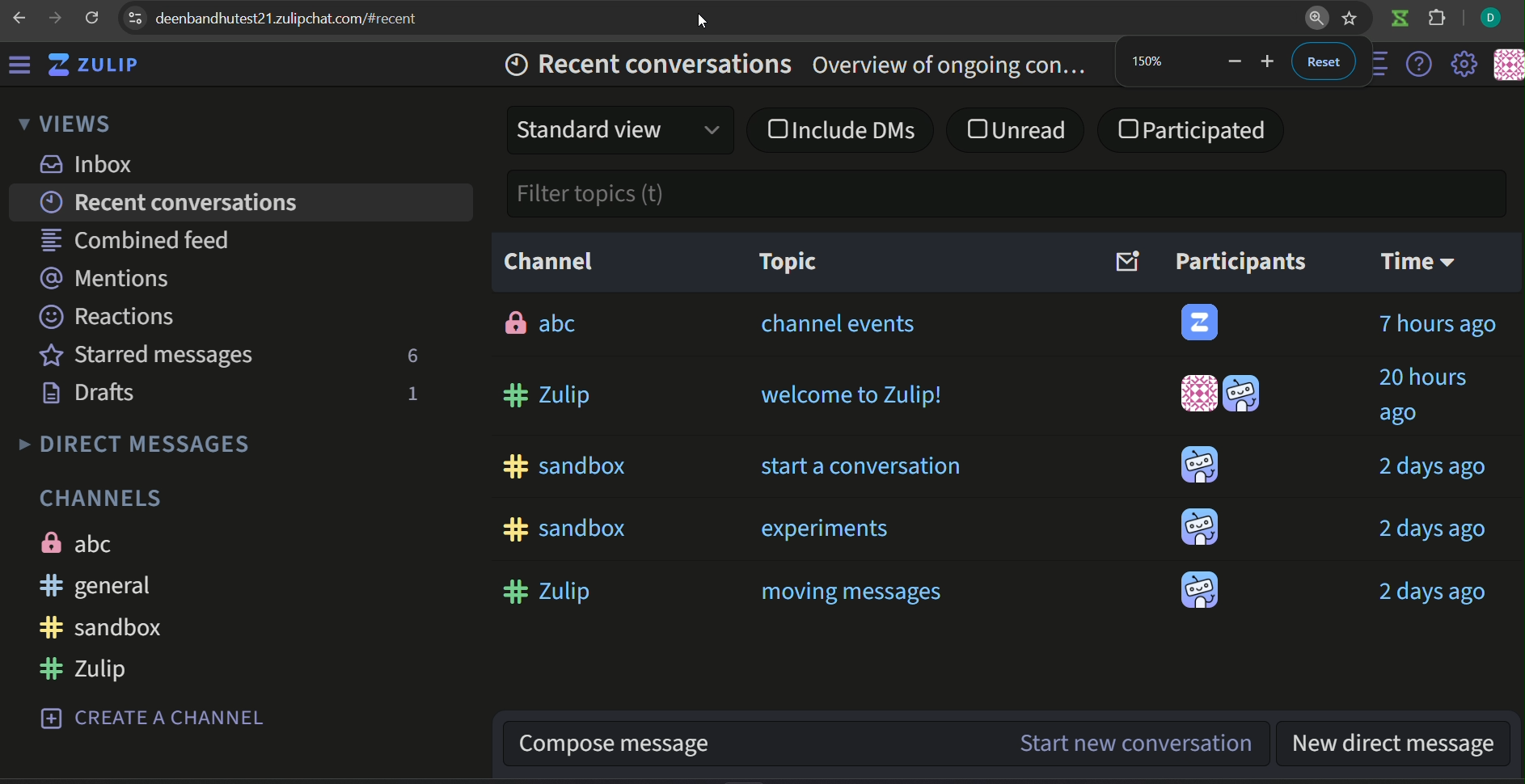 The width and height of the screenshot is (1525, 784). I want to click on experiments, so click(826, 529).